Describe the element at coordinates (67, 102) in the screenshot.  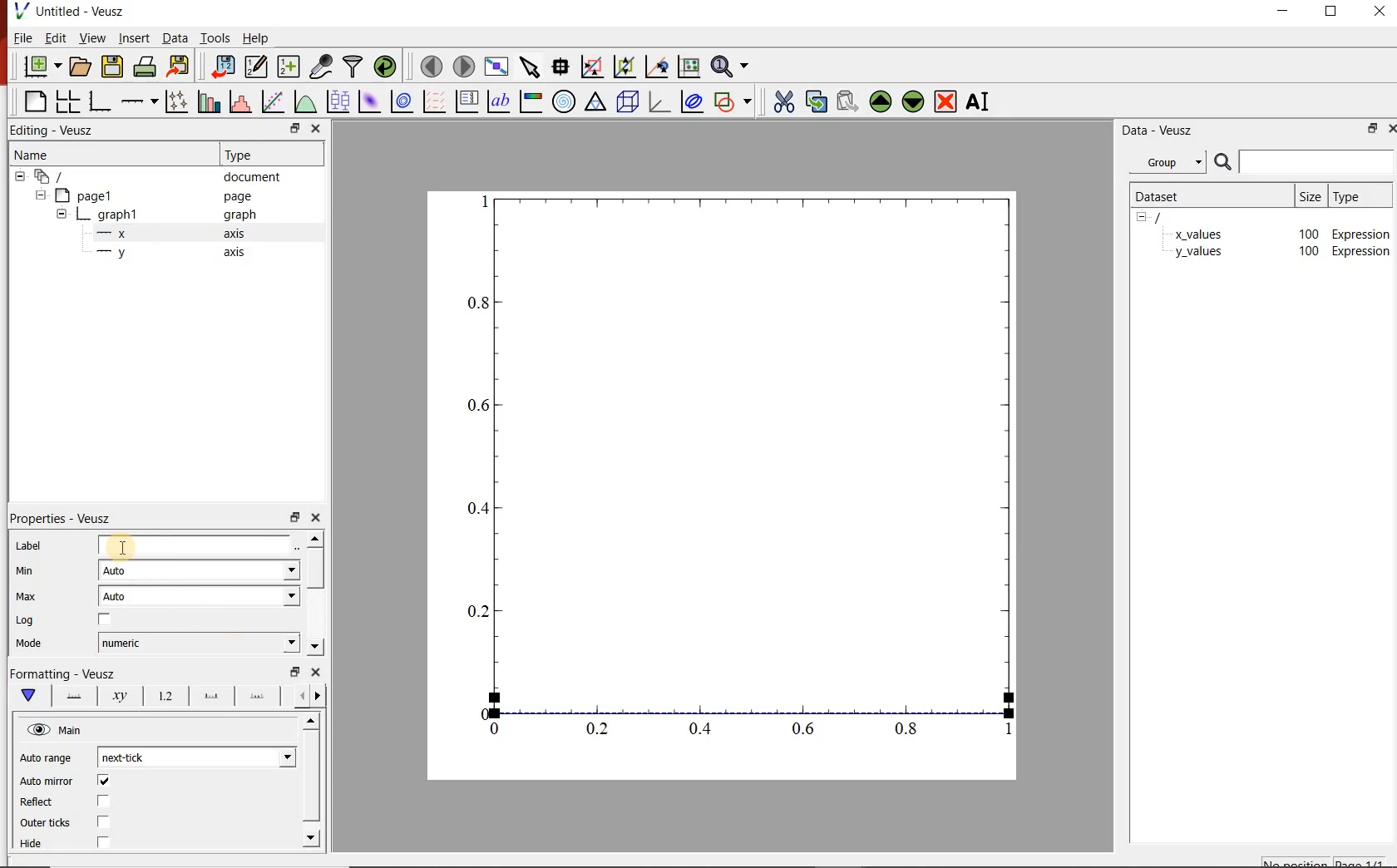
I see `arrange graphs in a grid` at that location.